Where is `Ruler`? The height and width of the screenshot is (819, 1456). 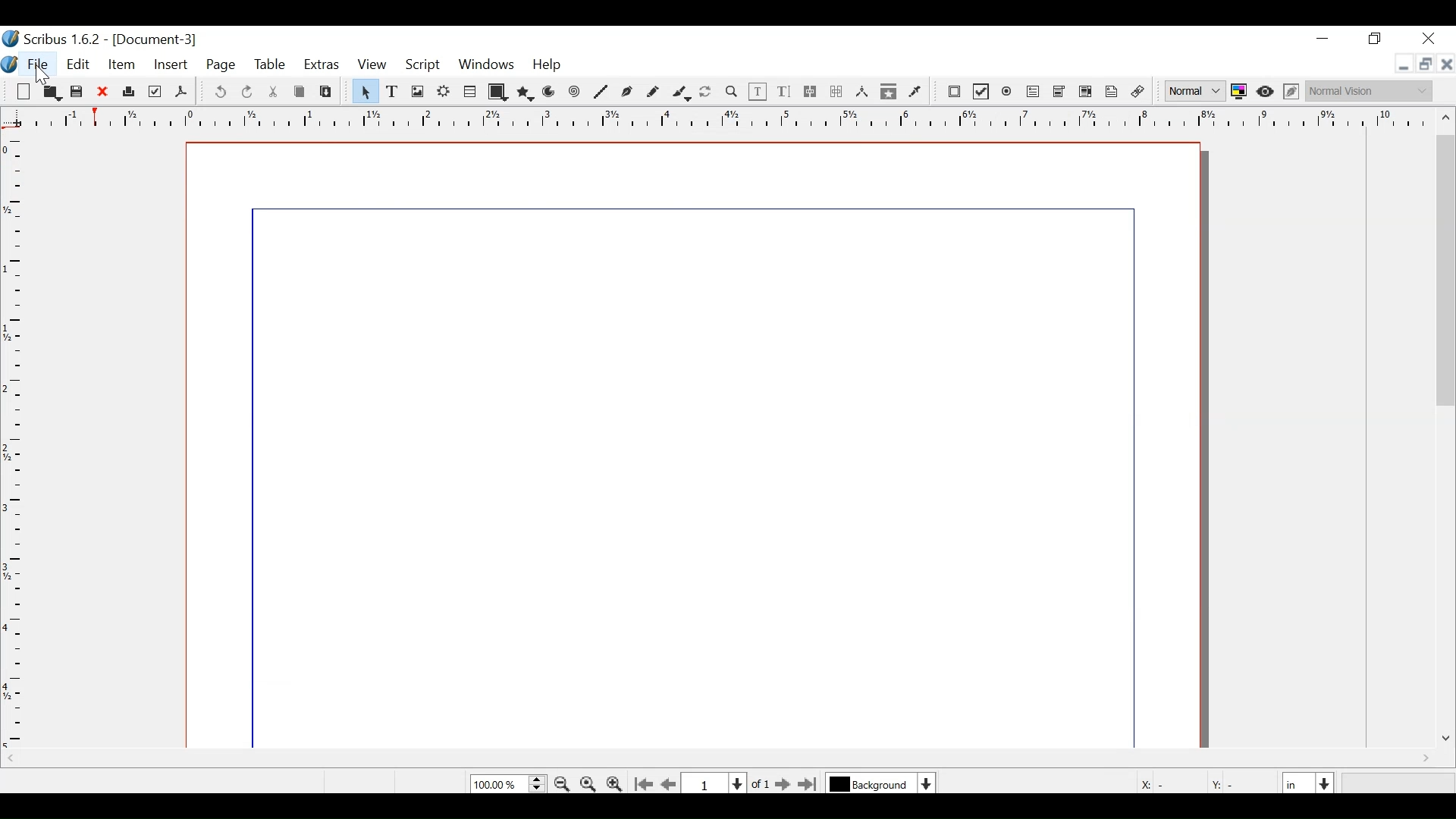
Ruler is located at coordinates (721, 123).